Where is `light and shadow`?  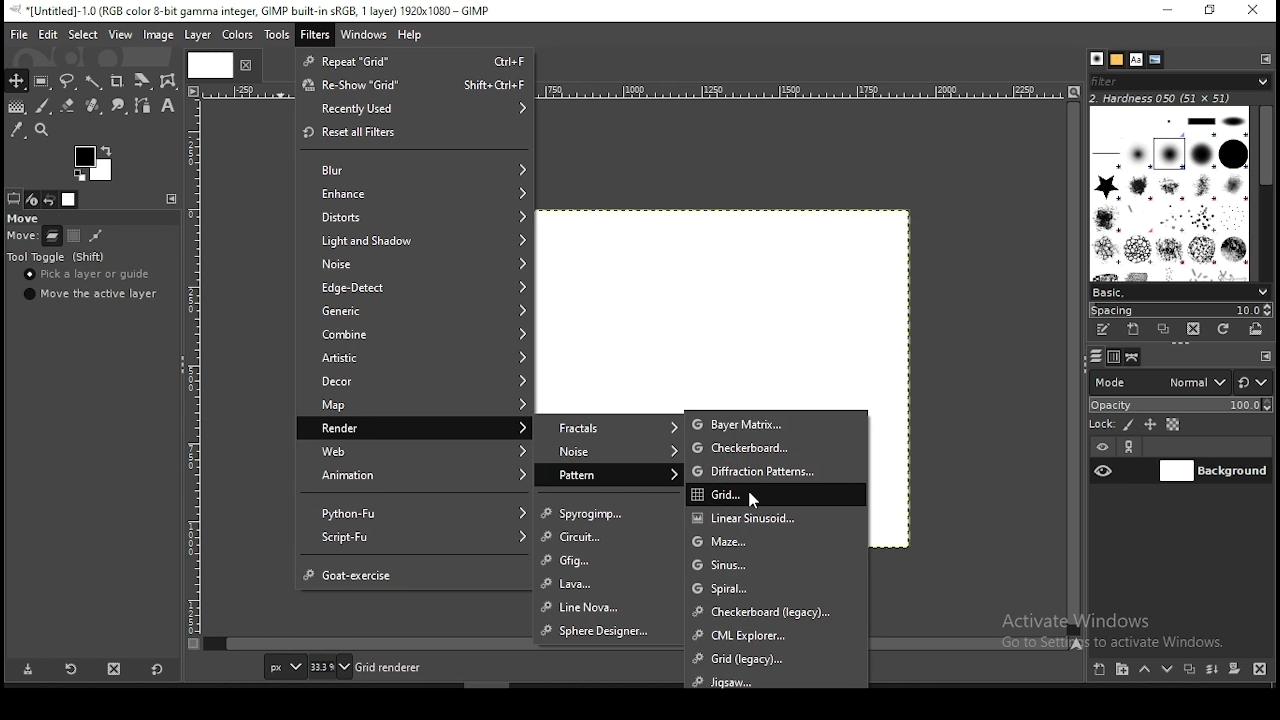
light and shadow is located at coordinates (415, 239).